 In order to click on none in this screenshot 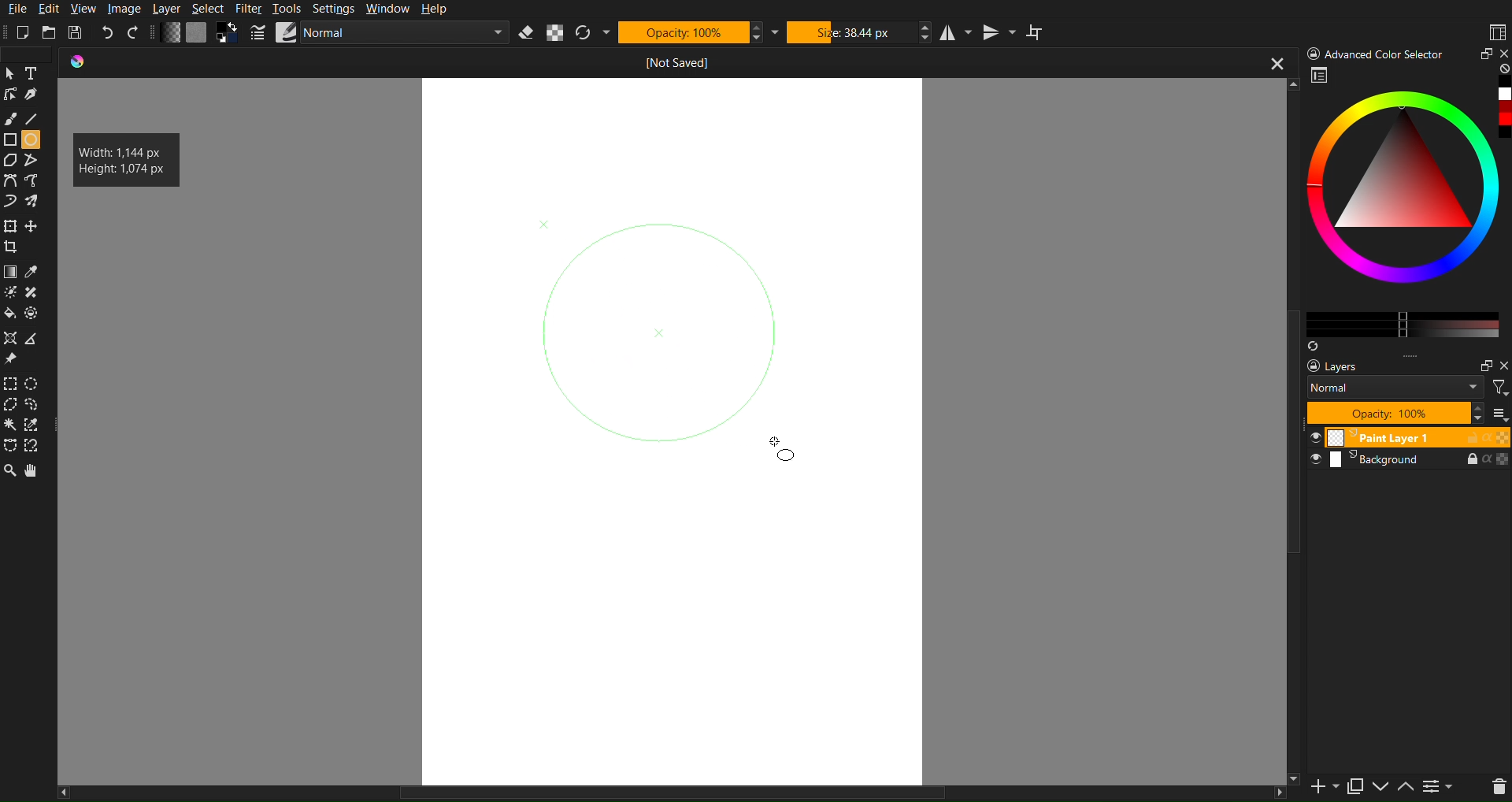, I will do `click(1501, 69)`.